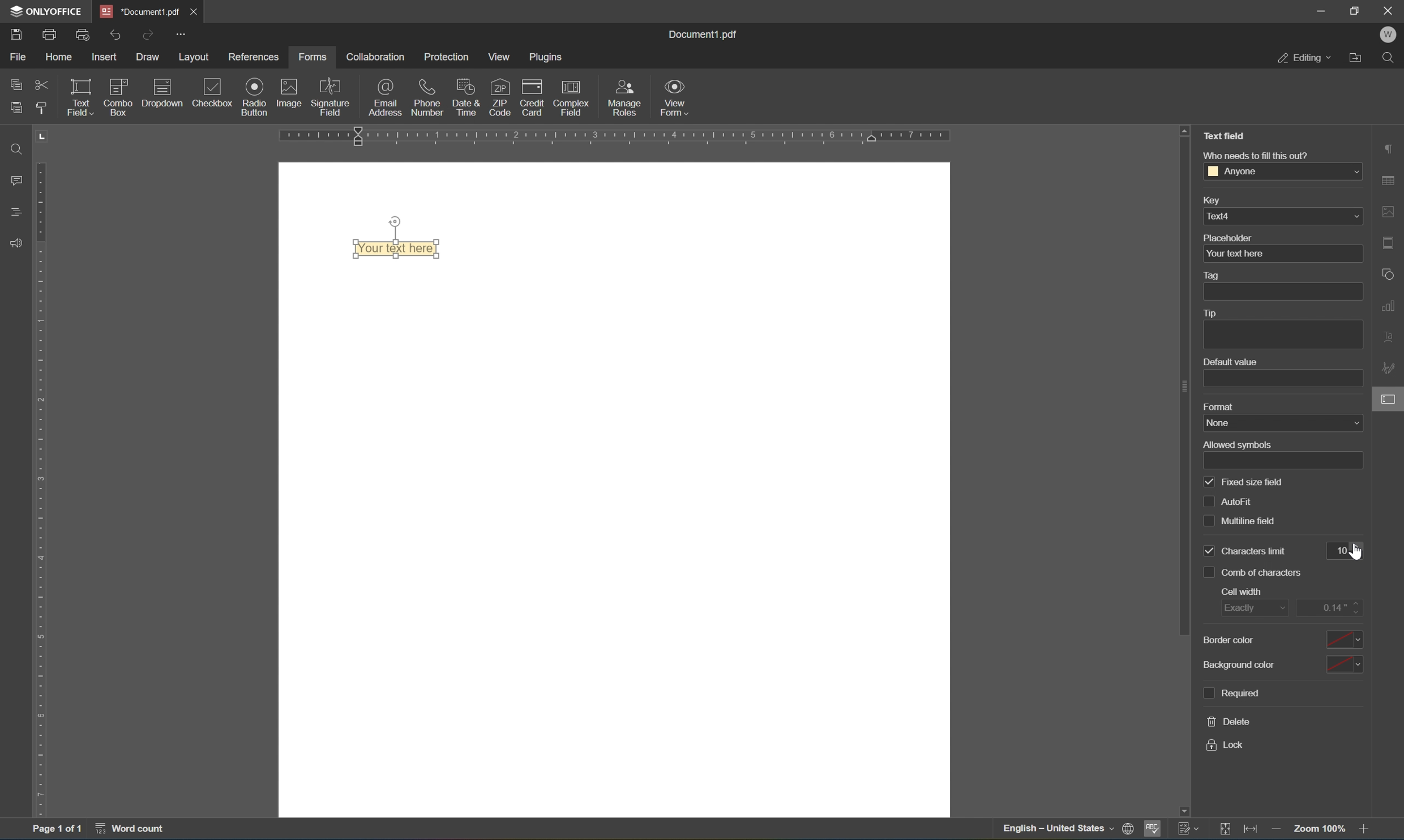 Image resolution: width=1404 pixels, height=840 pixels. I want to click on placeholder, so click(1226, 237).